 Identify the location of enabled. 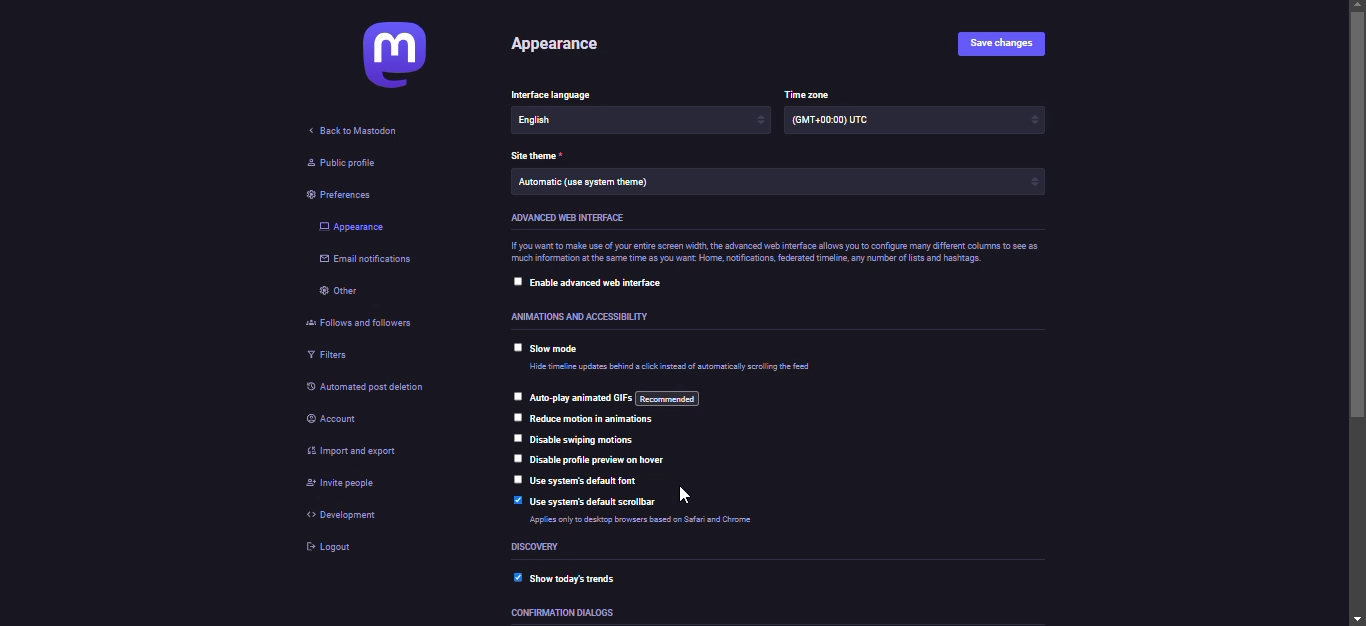
(514, 578).